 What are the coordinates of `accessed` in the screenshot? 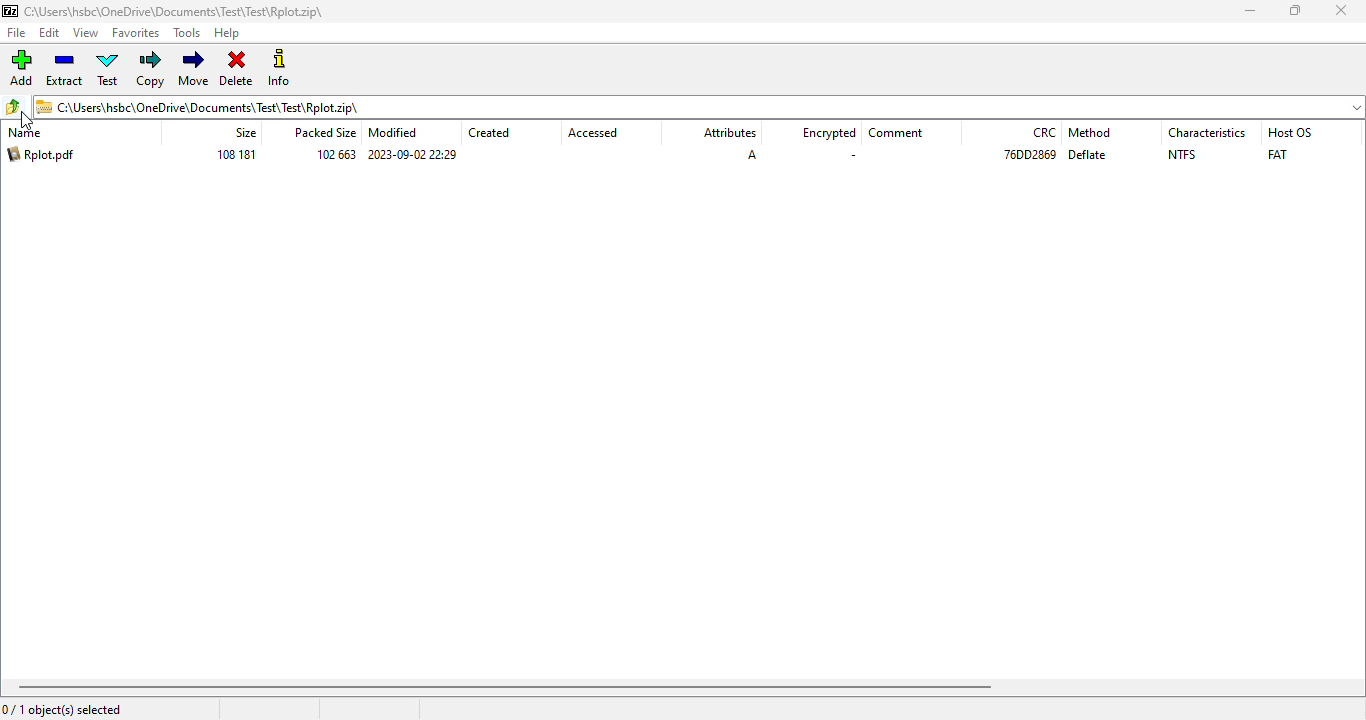 It's located at (593, 132).